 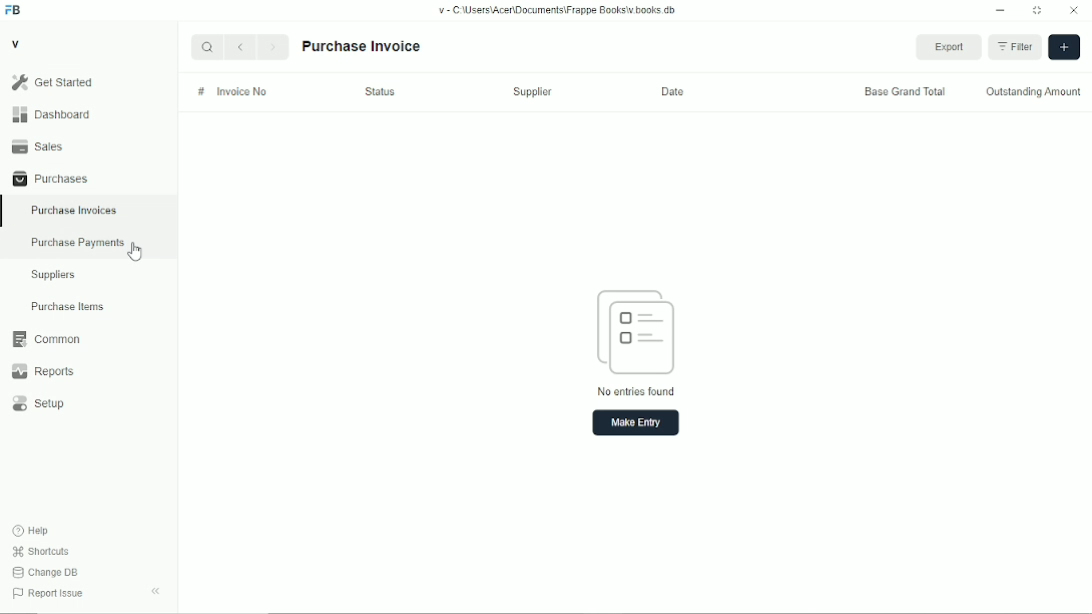 I want to click on Previous, so click(x=240, y=47).